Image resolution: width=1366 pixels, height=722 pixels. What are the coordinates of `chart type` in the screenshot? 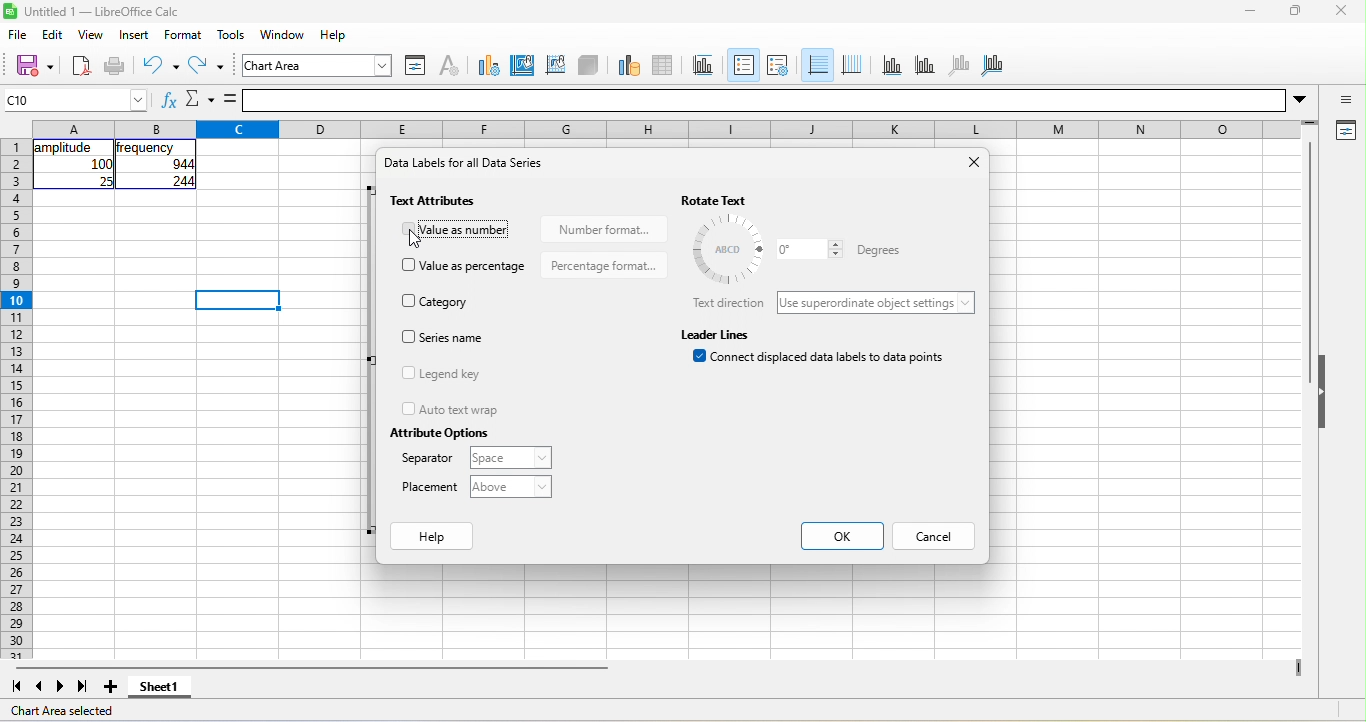 It's located at (485, 64).